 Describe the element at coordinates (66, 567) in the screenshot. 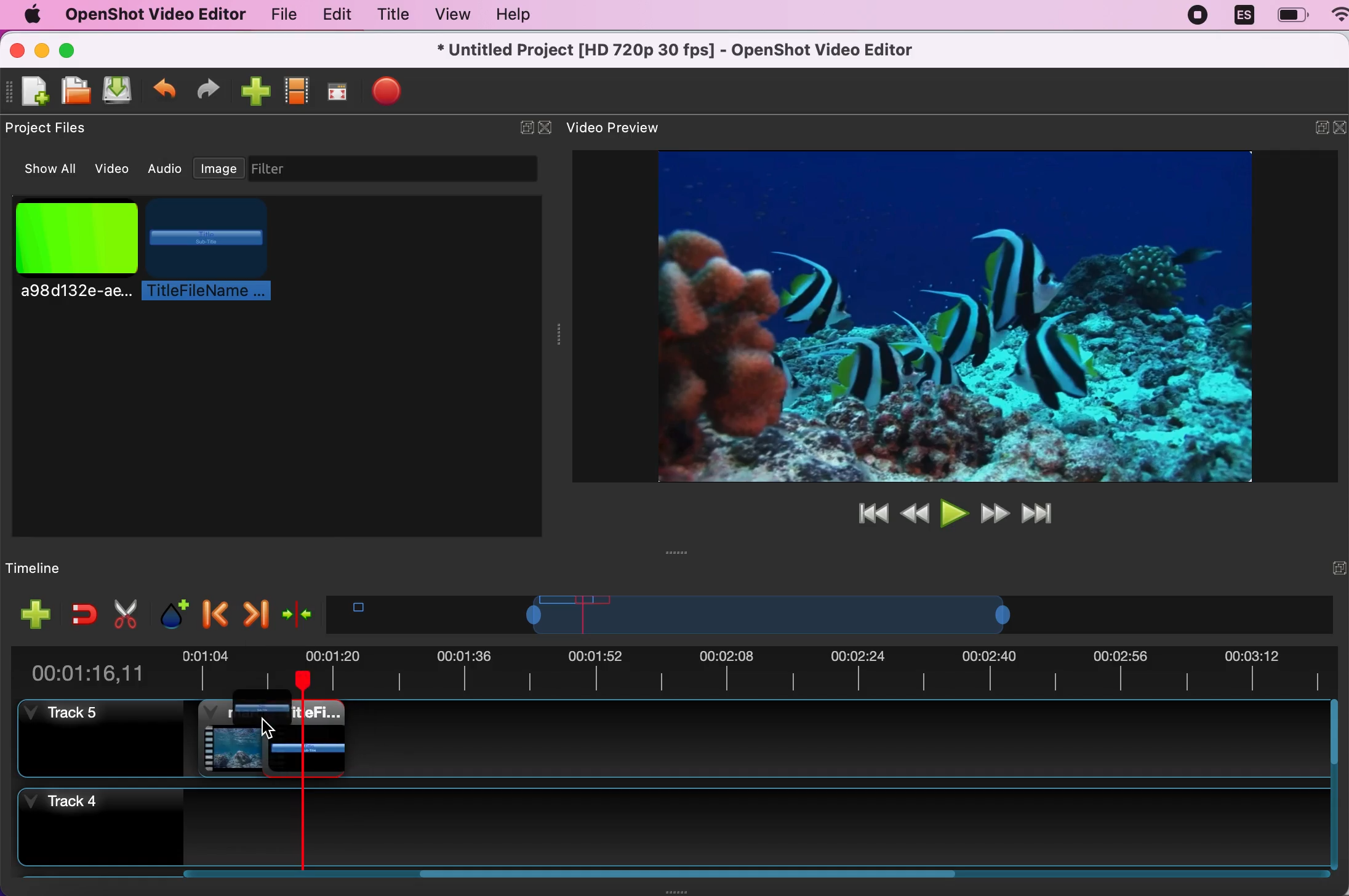

I see `timeline` at that location.